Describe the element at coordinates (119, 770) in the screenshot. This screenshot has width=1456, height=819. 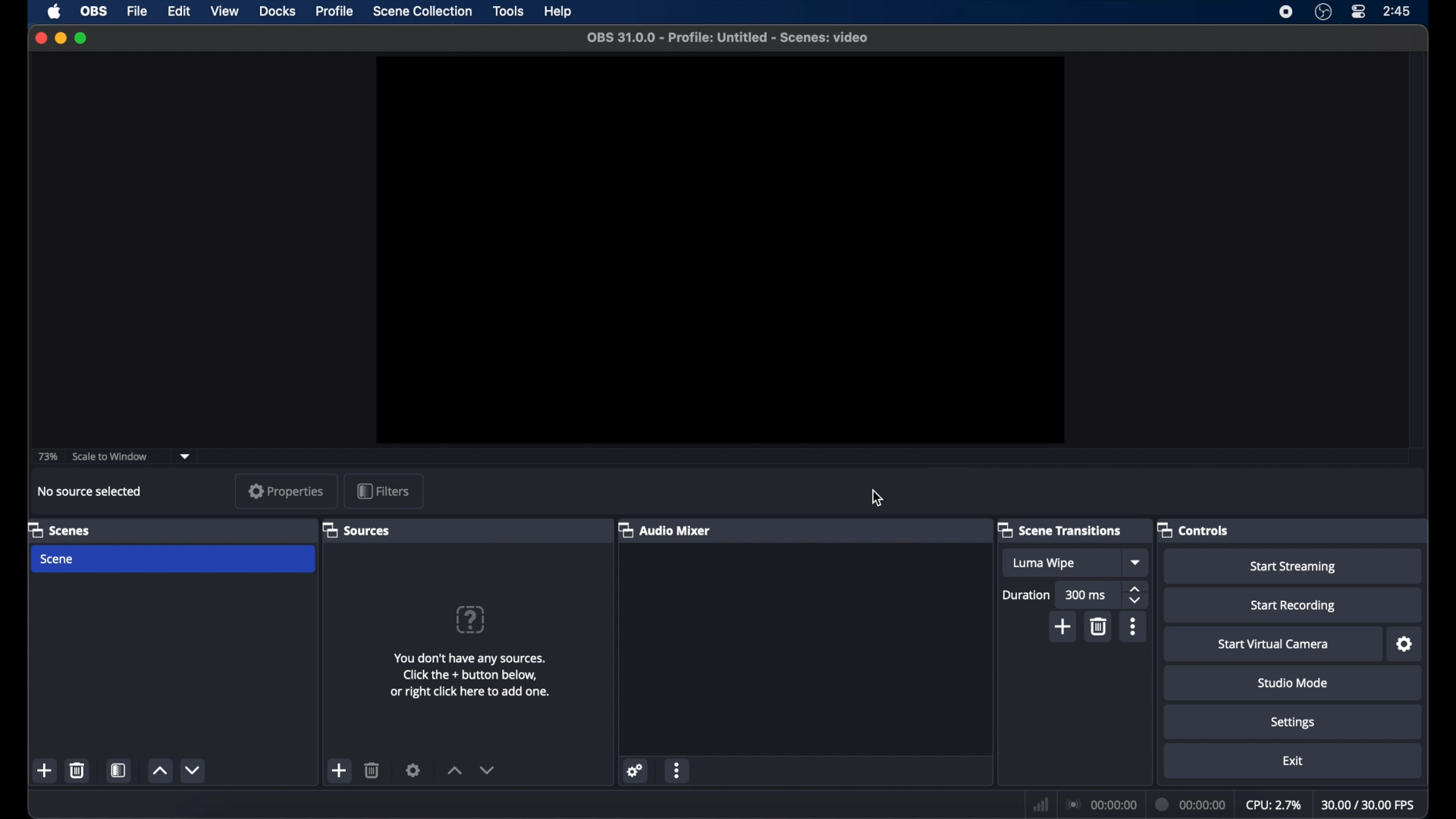
I see `scene filters` at that location.